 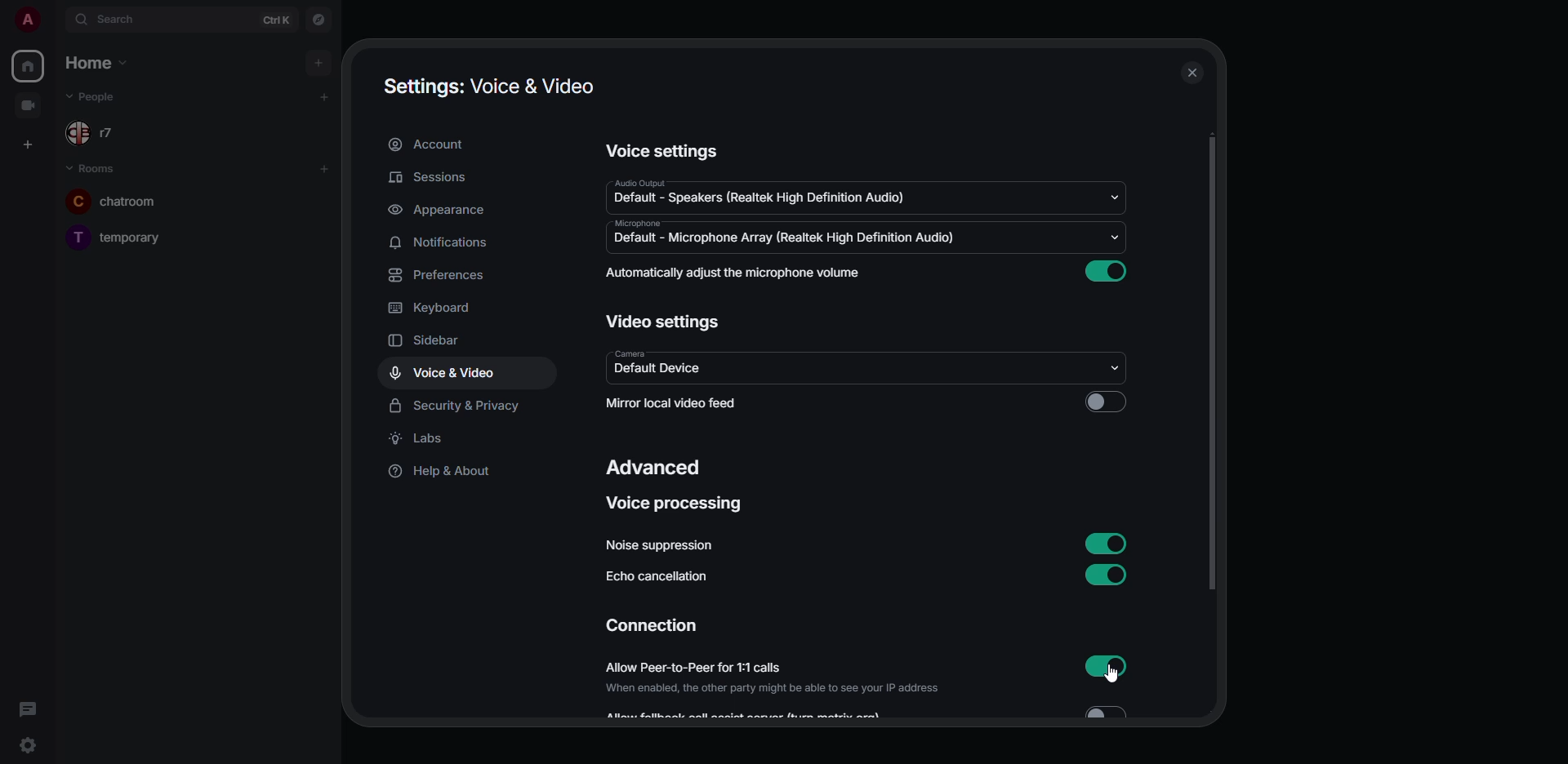 I want to click on advanced, so click(x=654, y=465).